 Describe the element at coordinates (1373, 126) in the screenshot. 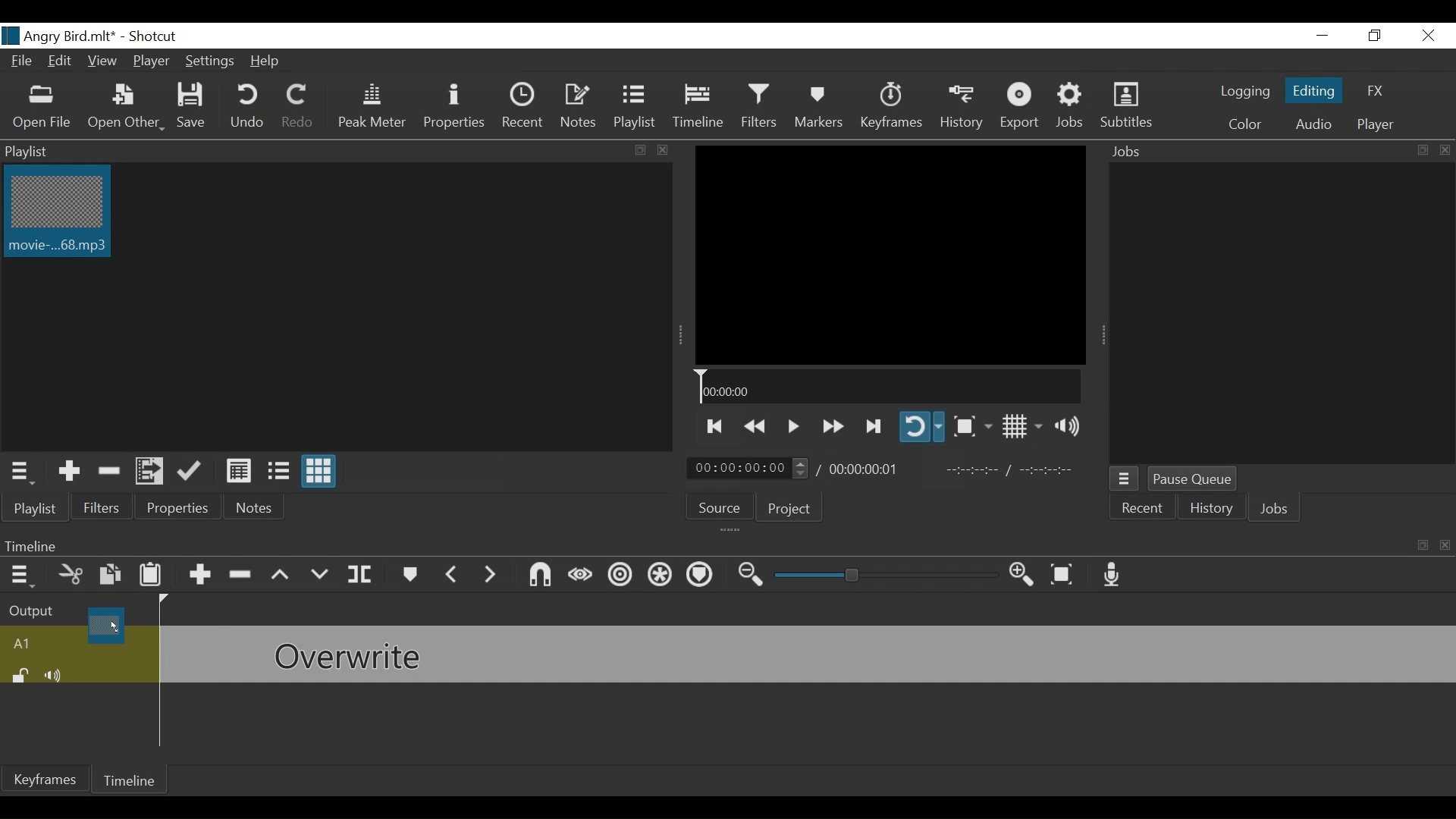

I see `Player` at that location.